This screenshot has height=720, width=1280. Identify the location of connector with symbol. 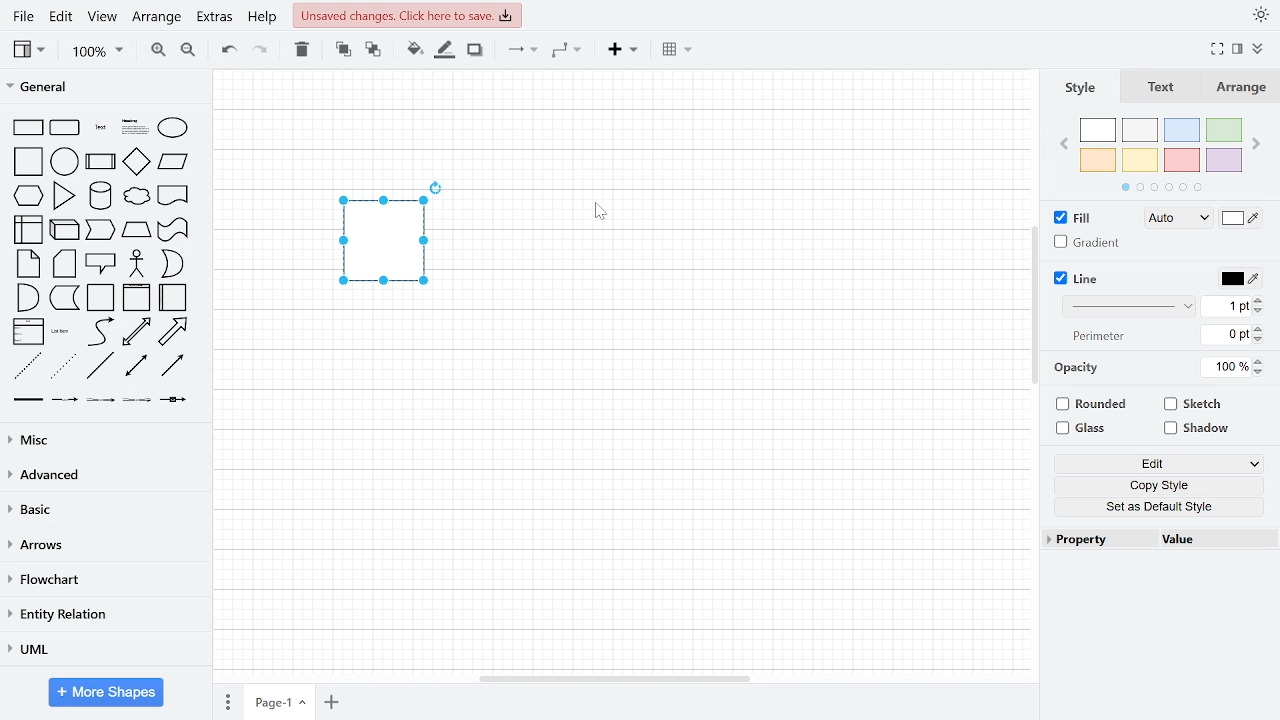
(171, 402).